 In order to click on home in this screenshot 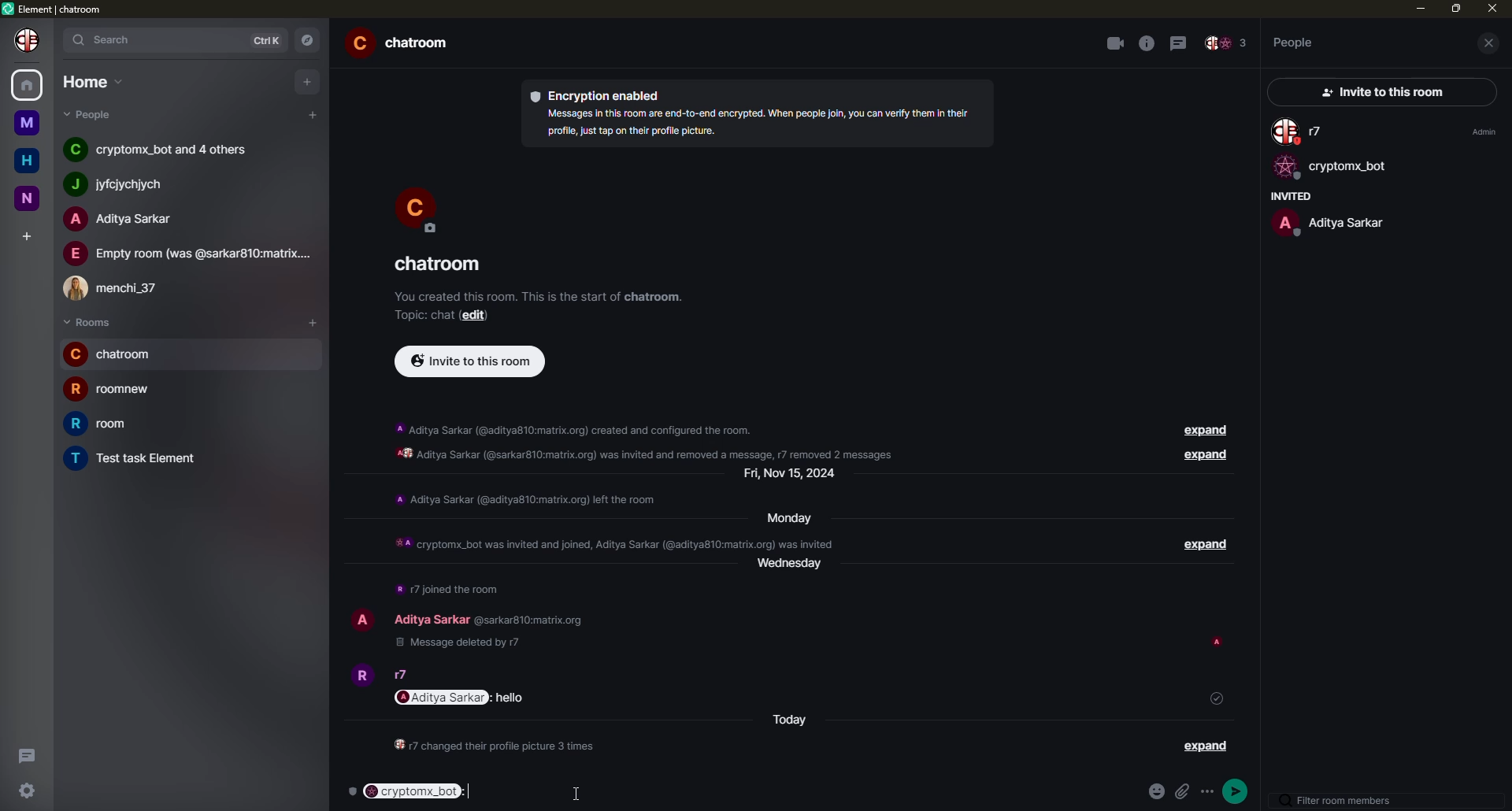, I will do `click(94, 81)`.